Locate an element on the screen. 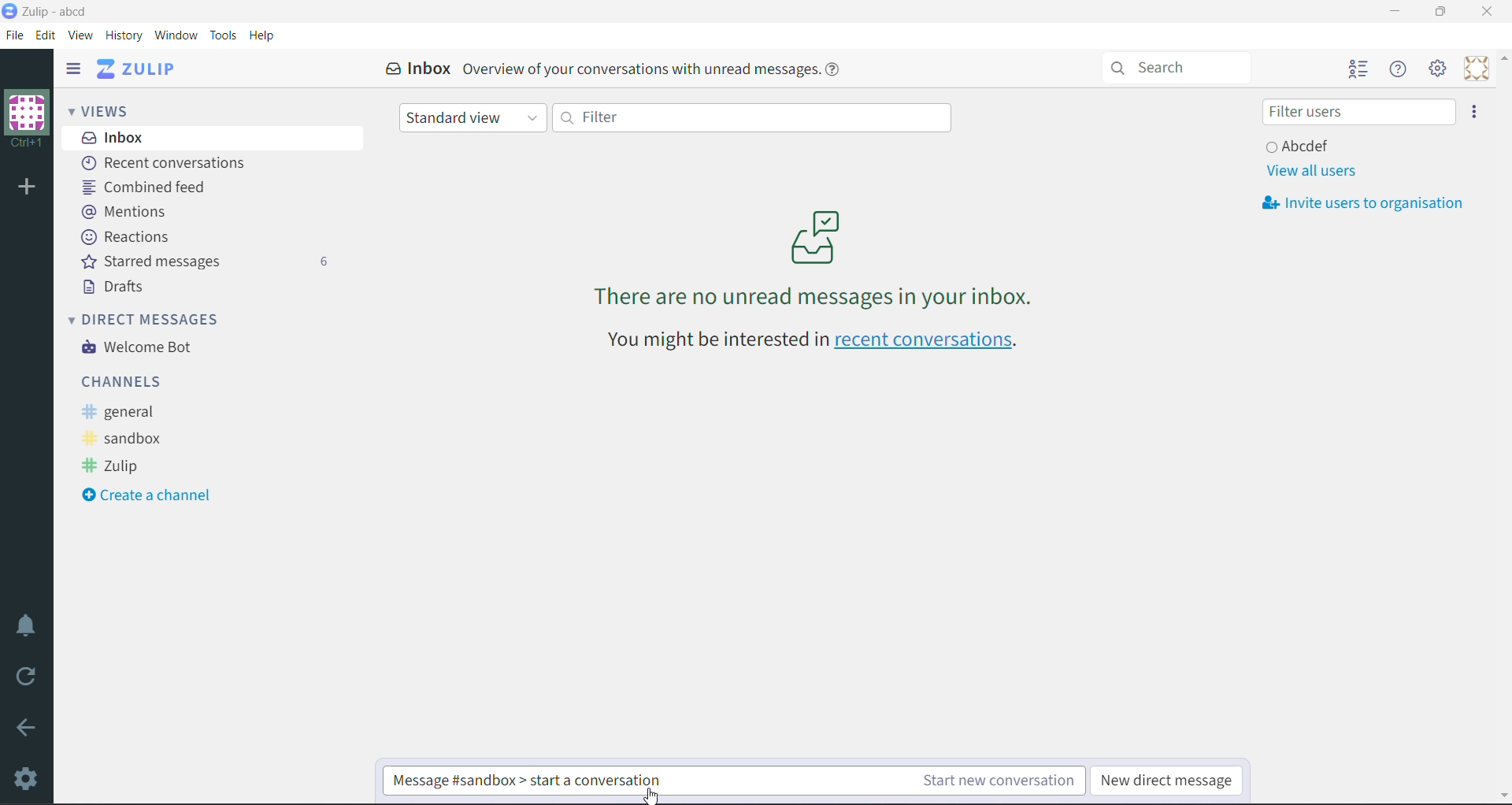  Direct Messages is located at coordinates (154, 318).